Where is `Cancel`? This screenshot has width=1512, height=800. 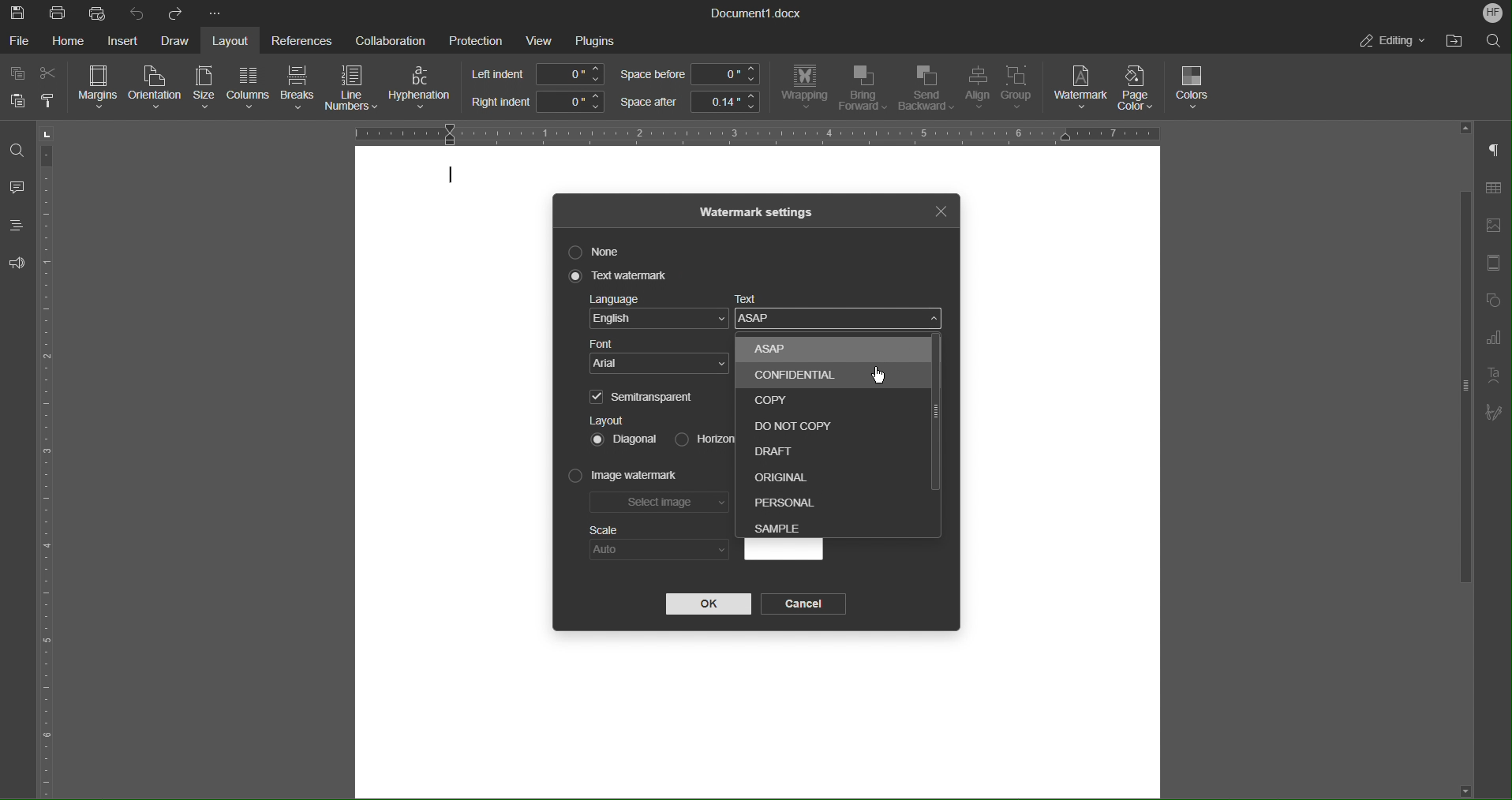
Cancel is located at coordinates (807, 604).